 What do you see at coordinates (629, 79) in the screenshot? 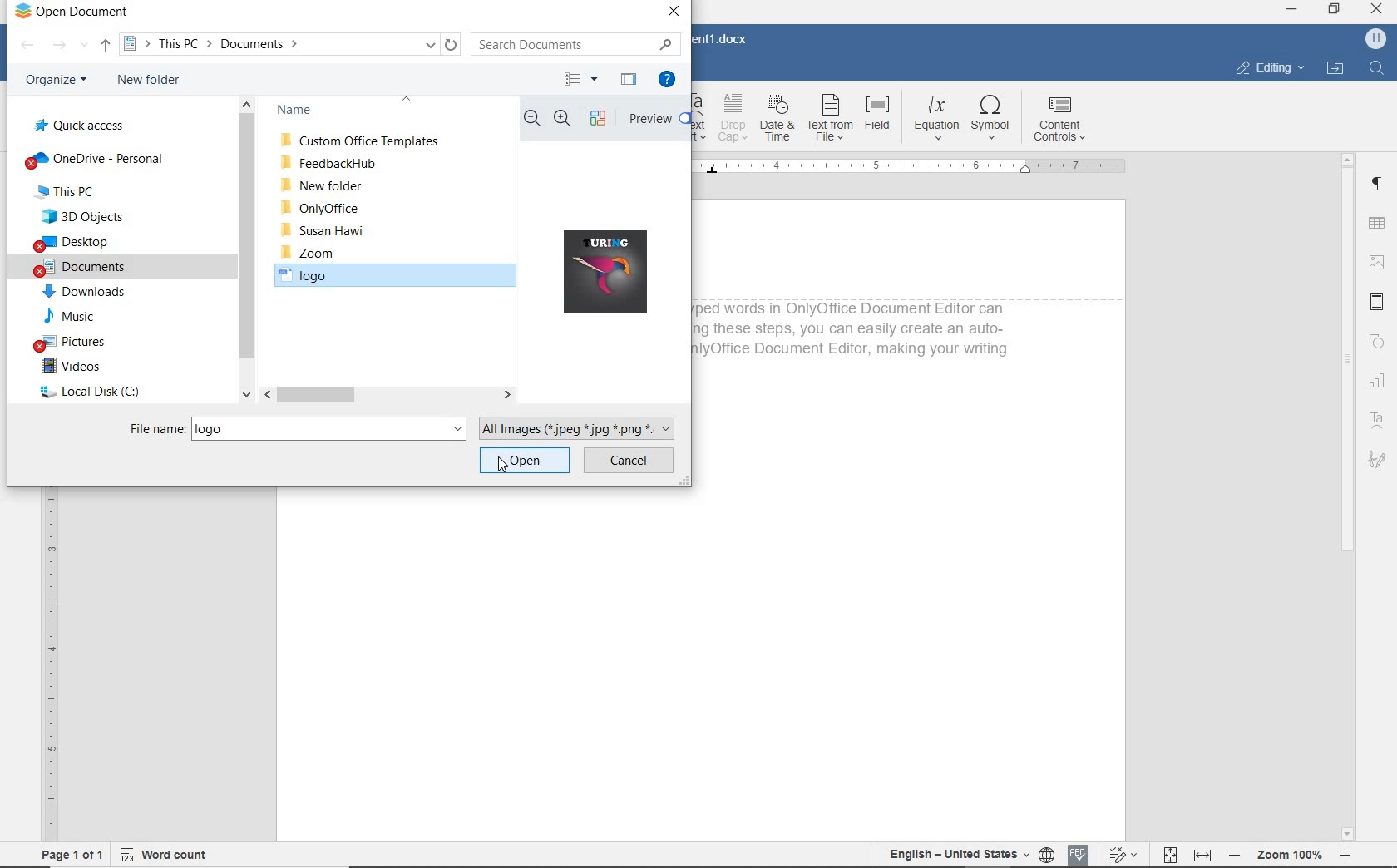
I see `HIDE THE PREVIEW PANE` at bounding box center [629, 79].